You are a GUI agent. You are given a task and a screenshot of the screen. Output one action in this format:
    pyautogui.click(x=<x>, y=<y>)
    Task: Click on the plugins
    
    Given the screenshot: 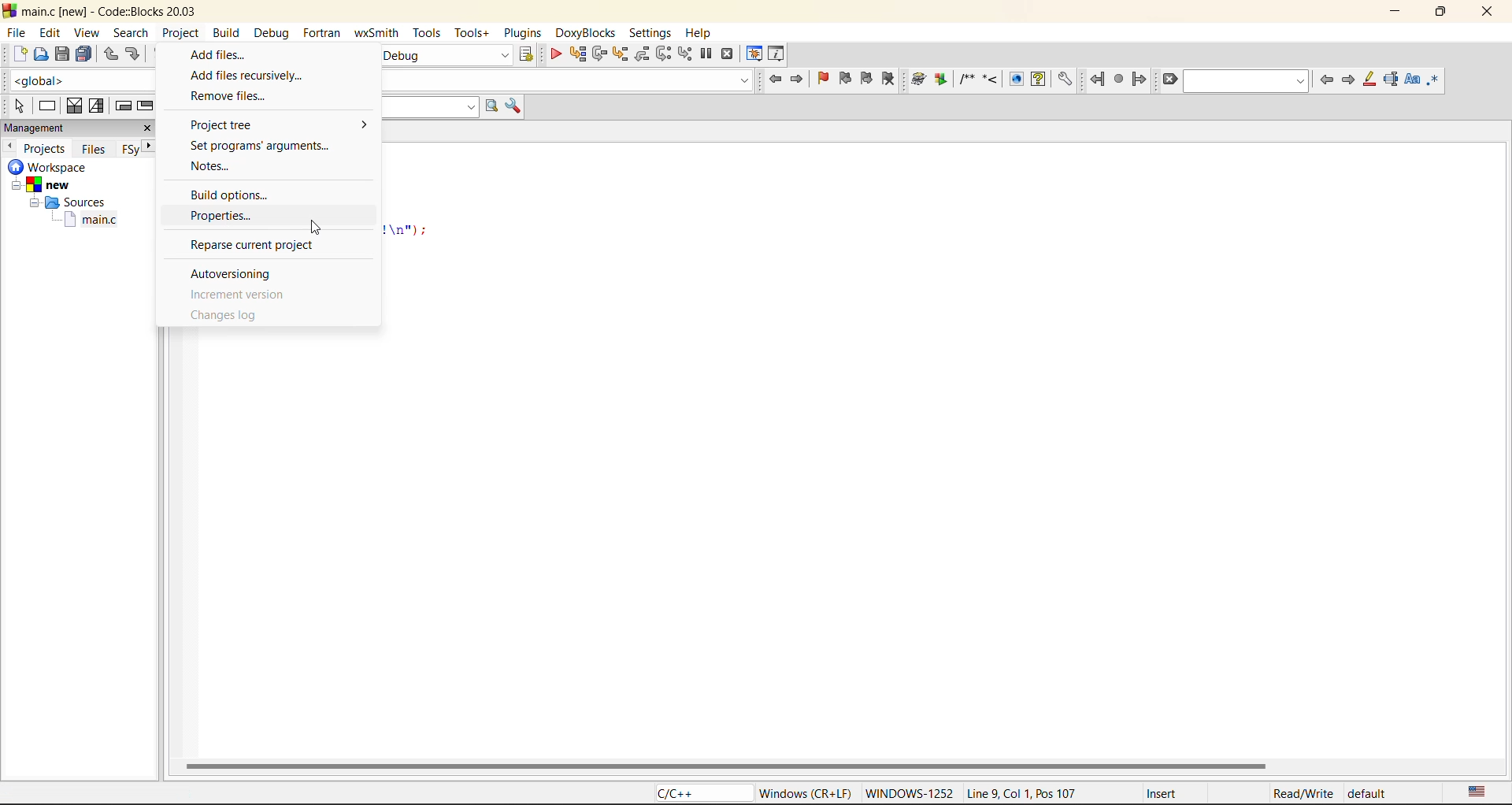 What is the action you would take?
    pyautogui.click(x=524, y=33)
    